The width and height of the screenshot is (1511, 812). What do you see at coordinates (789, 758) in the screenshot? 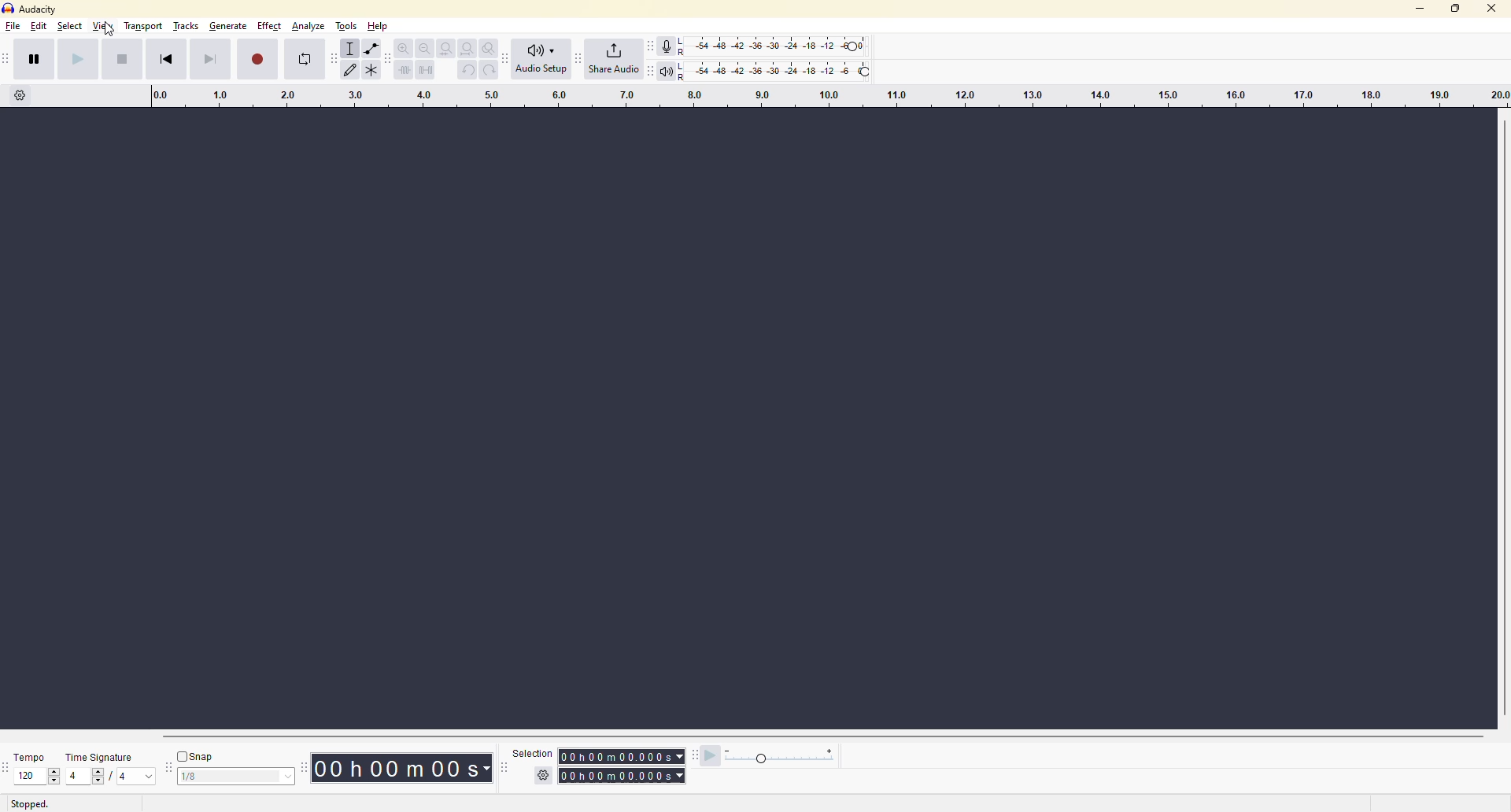
I see `playback speed` at bounding box center [789, 758].